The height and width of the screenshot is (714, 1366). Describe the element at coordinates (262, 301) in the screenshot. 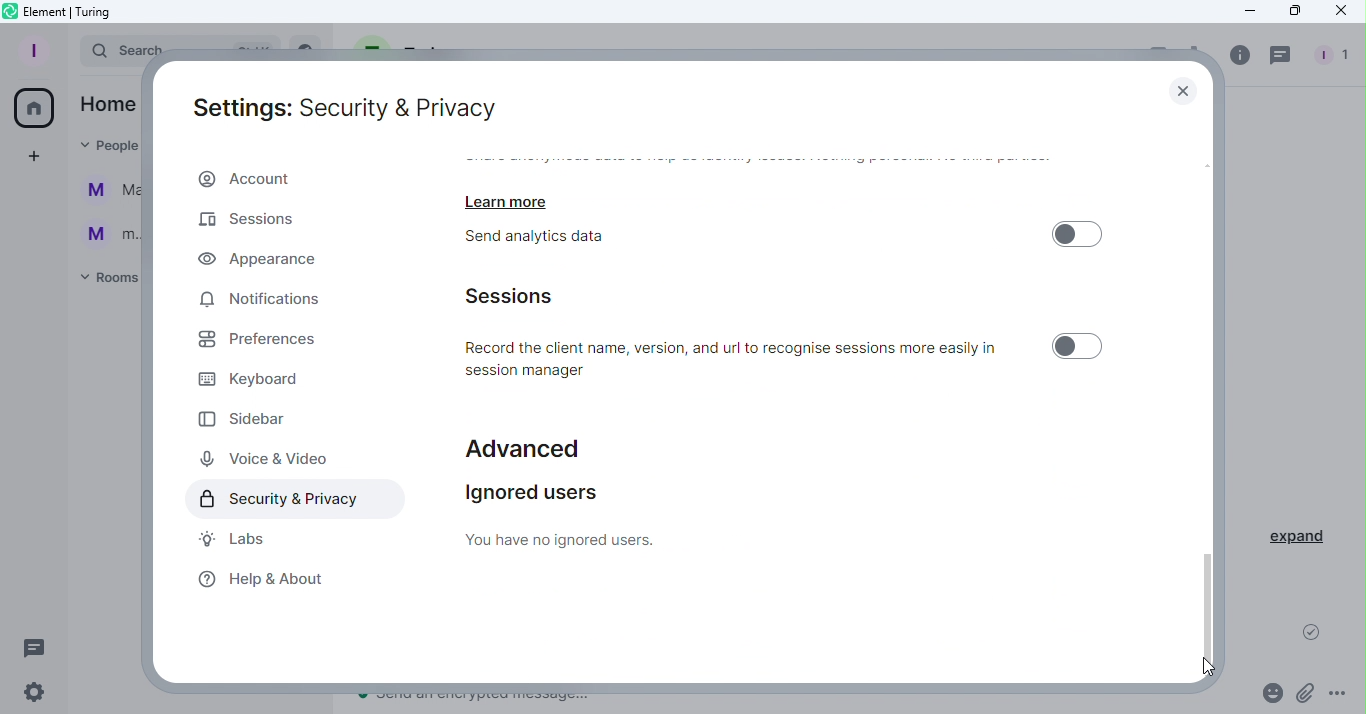

I see `Notifications` at that location.